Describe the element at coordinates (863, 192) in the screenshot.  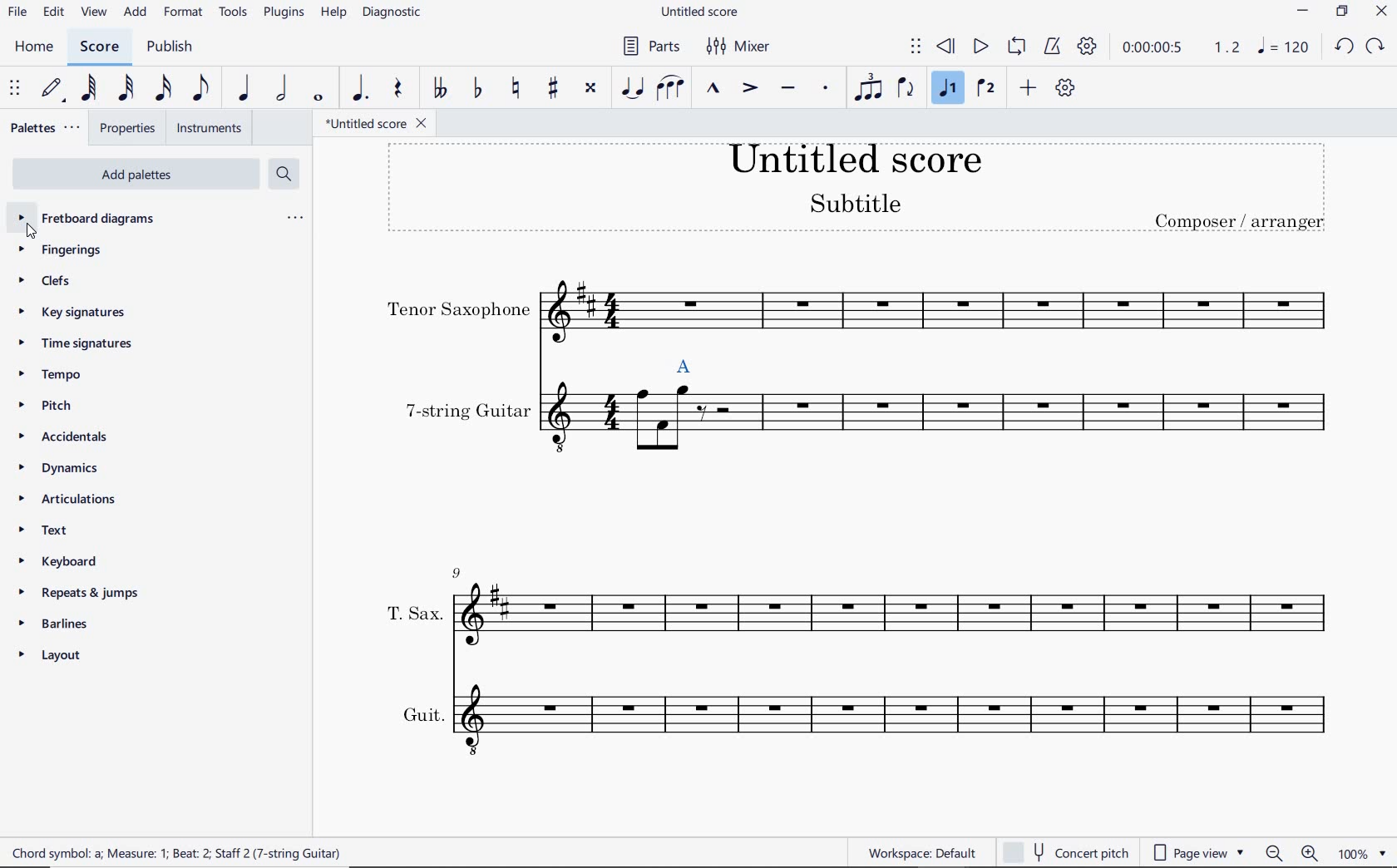
I see `TITLE` at that location.